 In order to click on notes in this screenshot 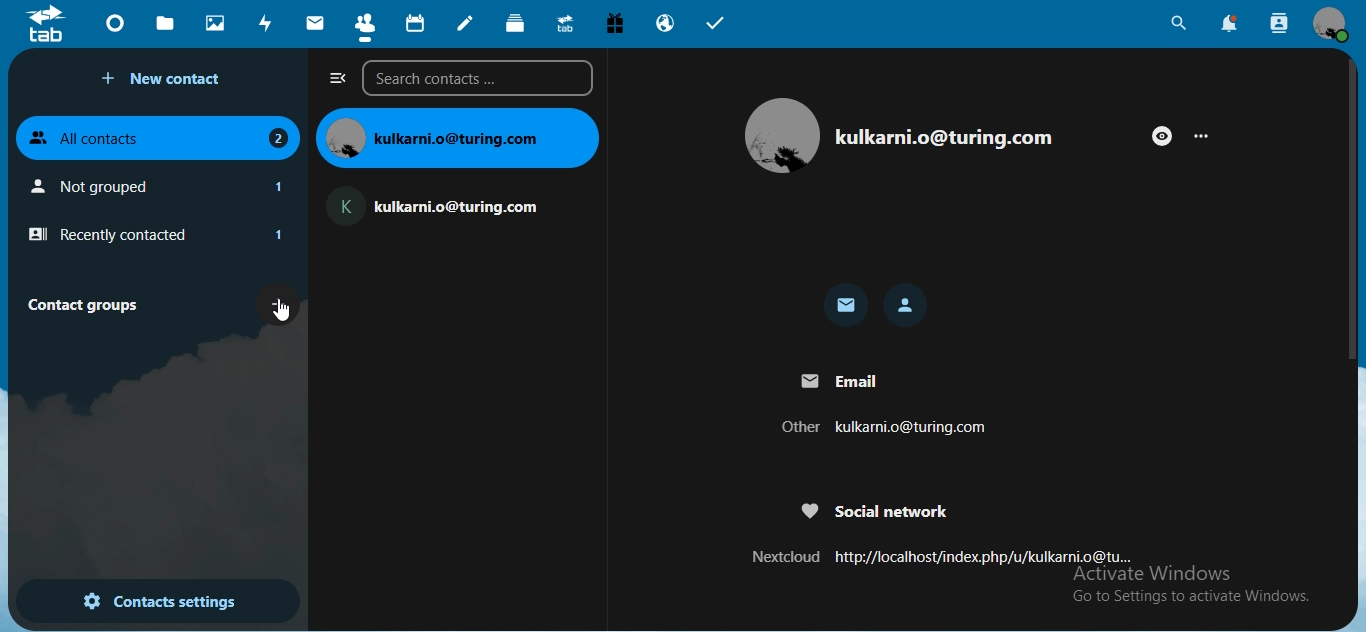, I will do `click(466, 23)`.